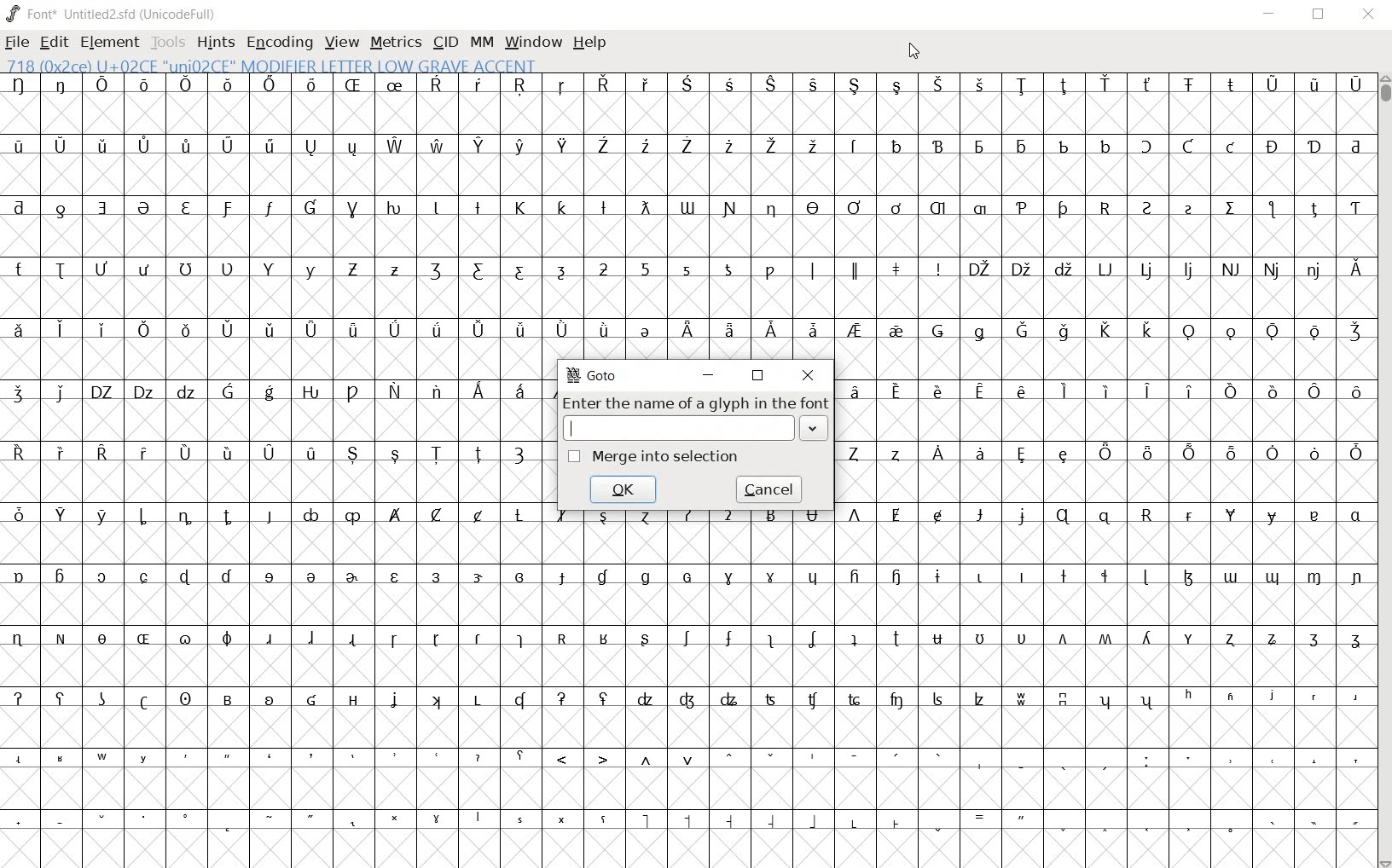  What do you see at coordinates (656, 455) in the screenshot?
I see `Merge into selection` at bounding box center [656, 455].